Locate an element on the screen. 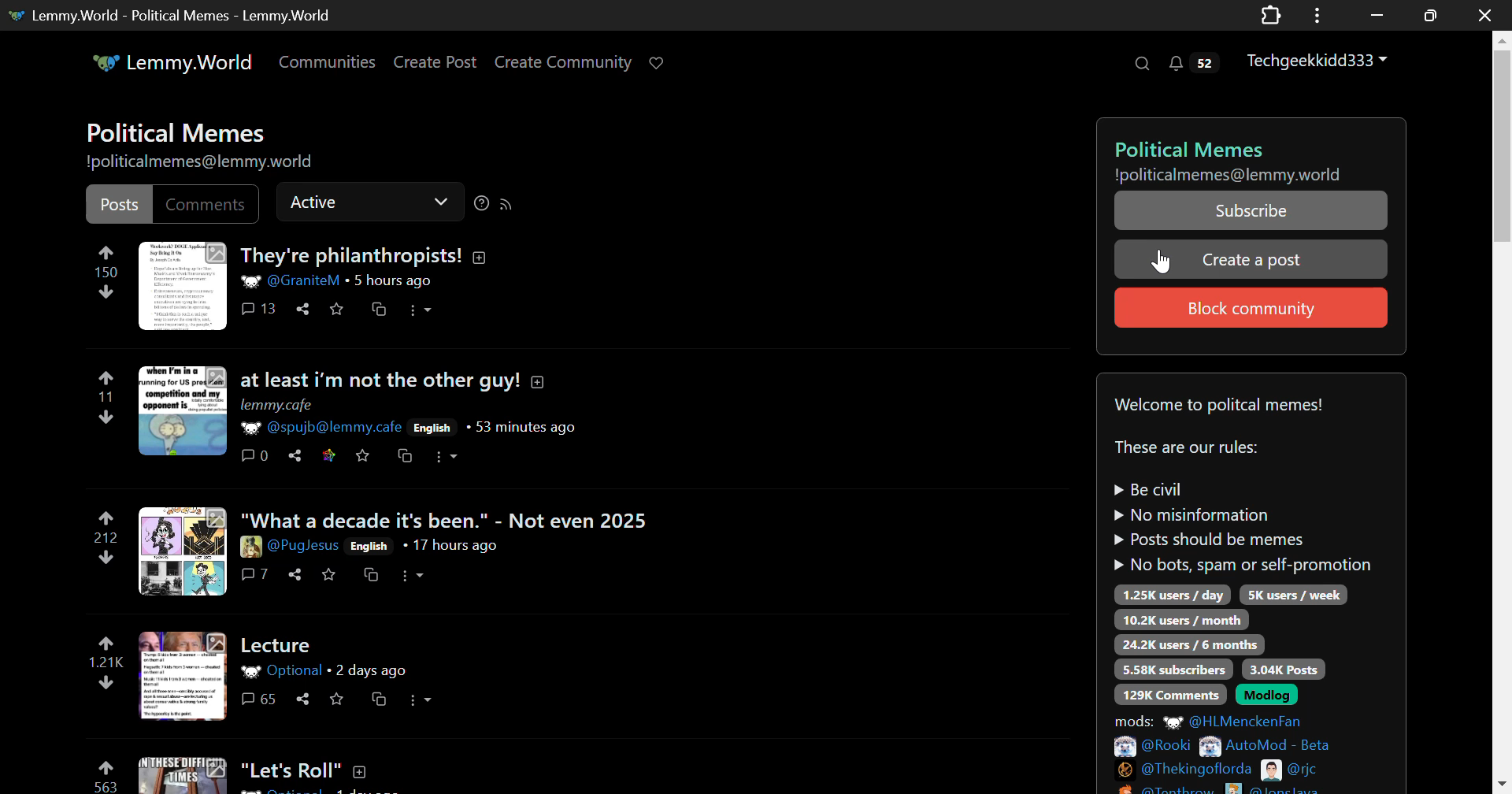  Comments is located at coordinates (259, 309).